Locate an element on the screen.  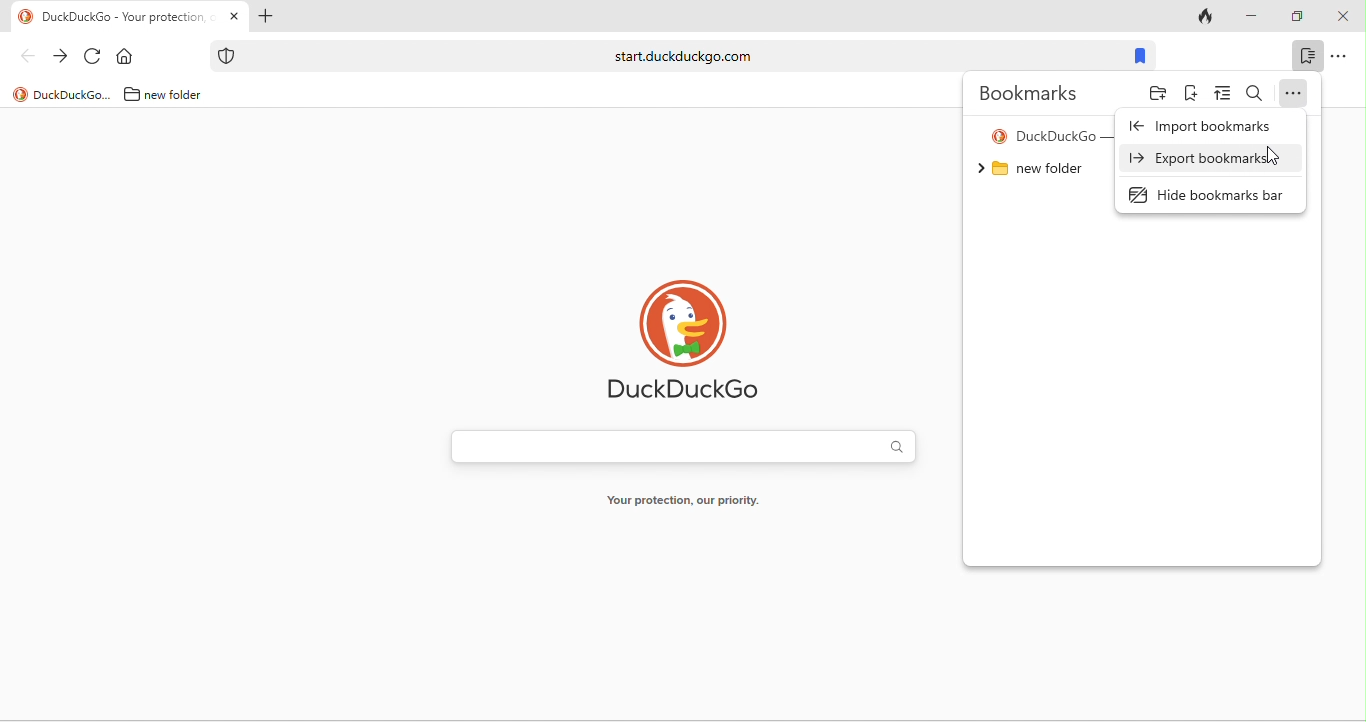
duck duck go logo is located at coordinates (684, 344).